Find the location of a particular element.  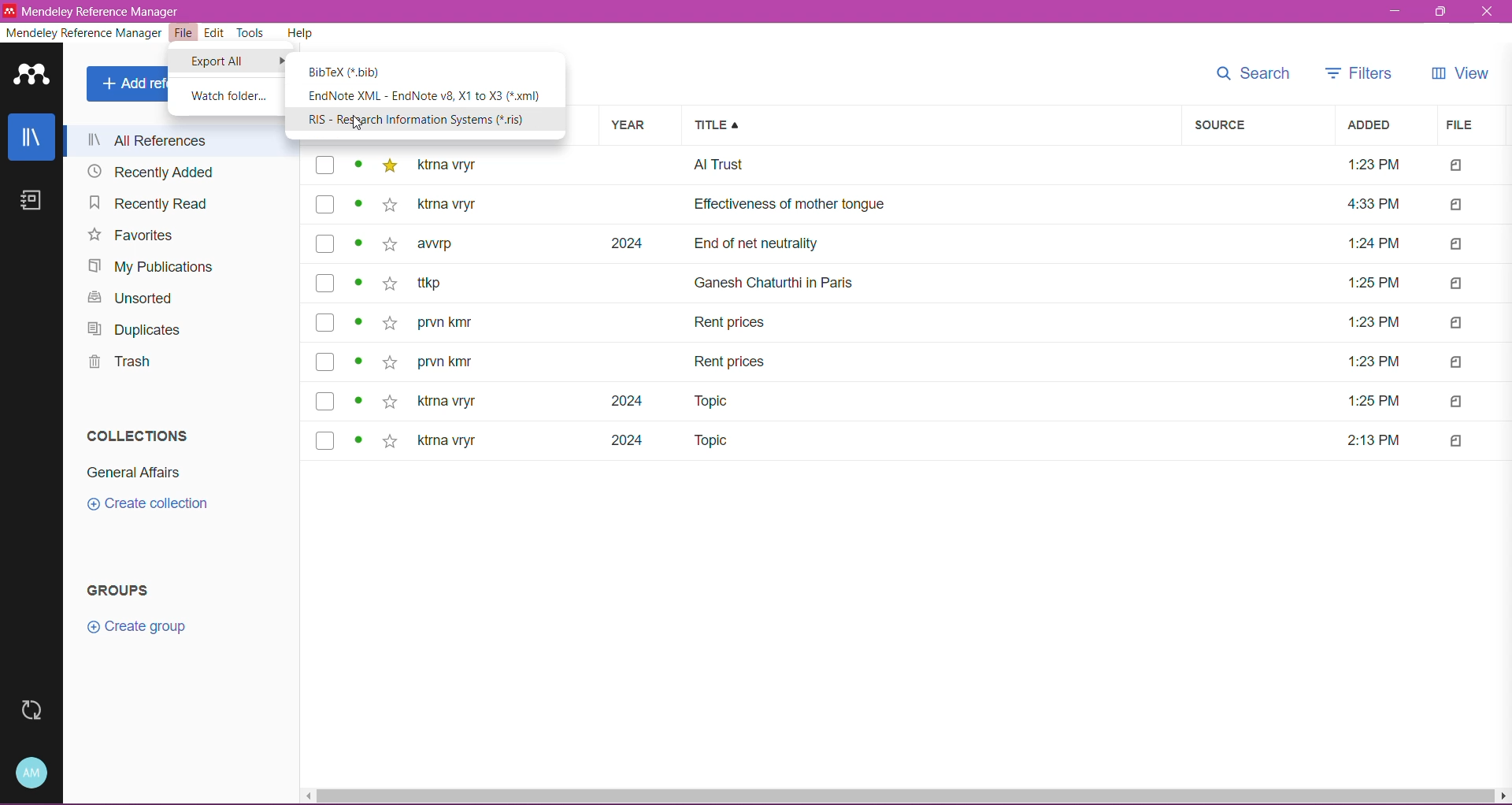

prvn kmr Rent prices 1:23 PM is located at coordinates (910, 323).